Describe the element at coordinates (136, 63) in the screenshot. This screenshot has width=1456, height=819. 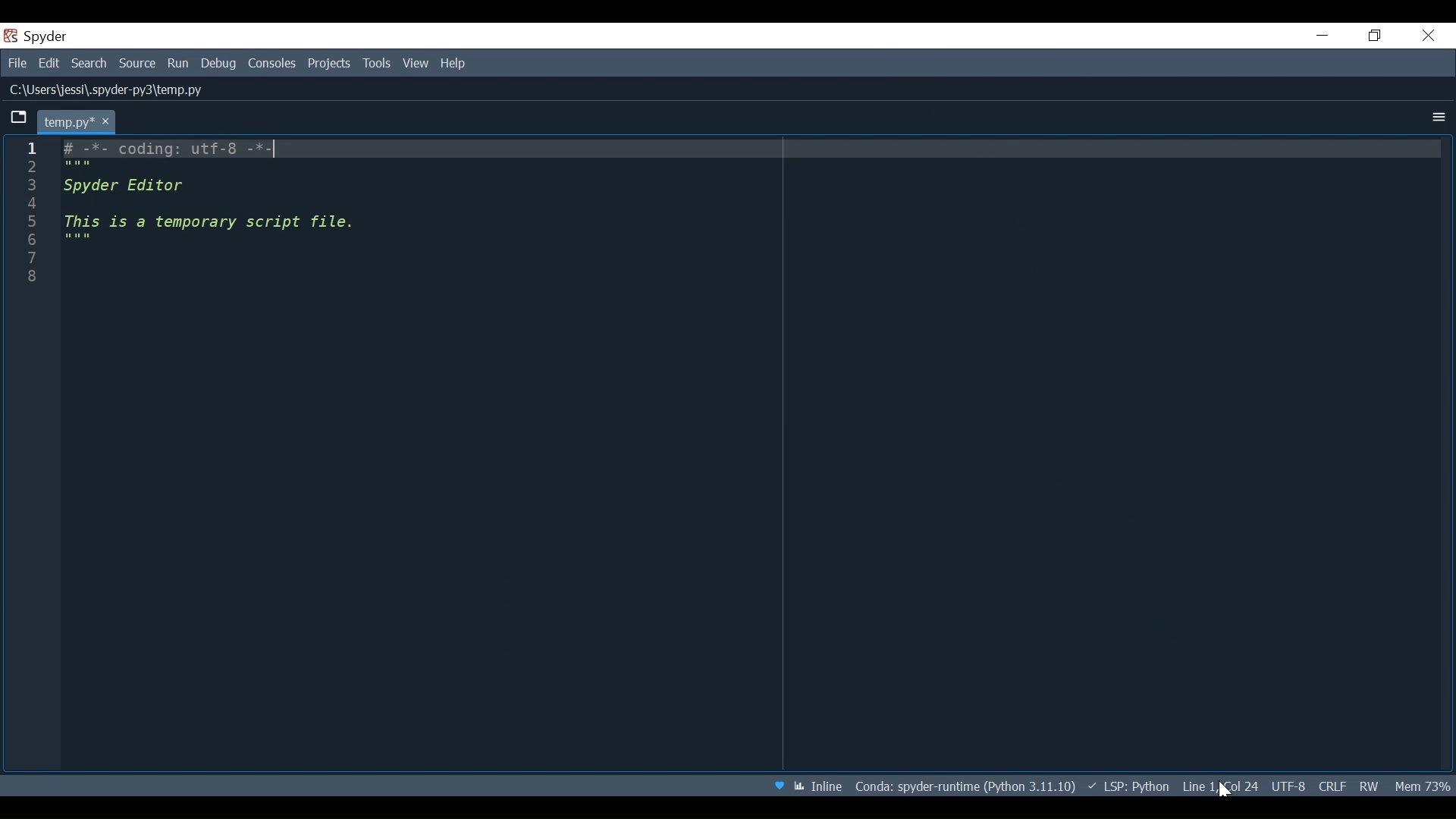
I see `Source` at that location.